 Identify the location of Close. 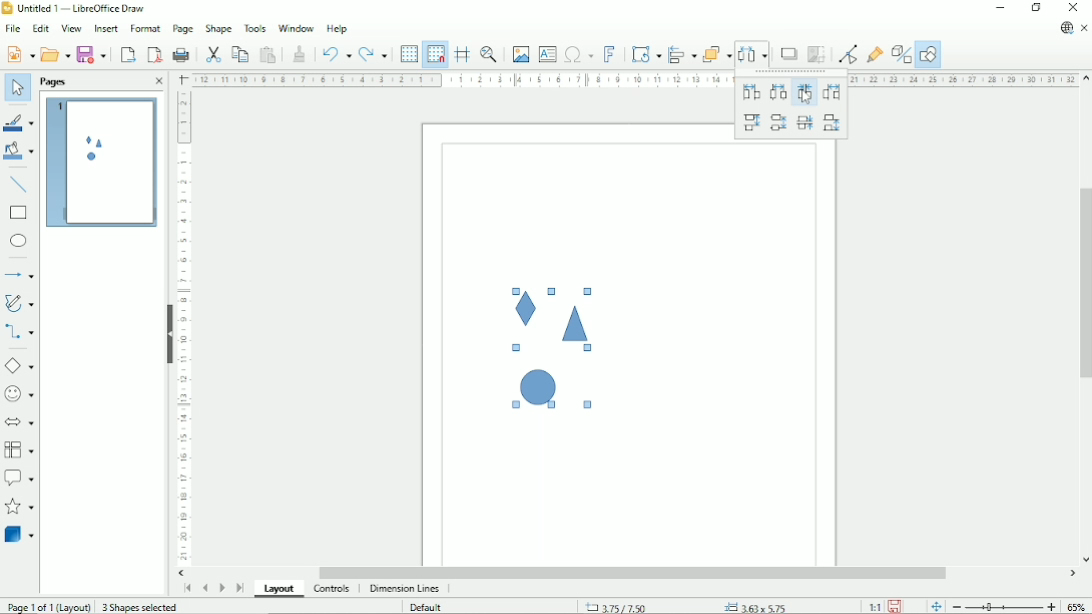
(1074, 8).